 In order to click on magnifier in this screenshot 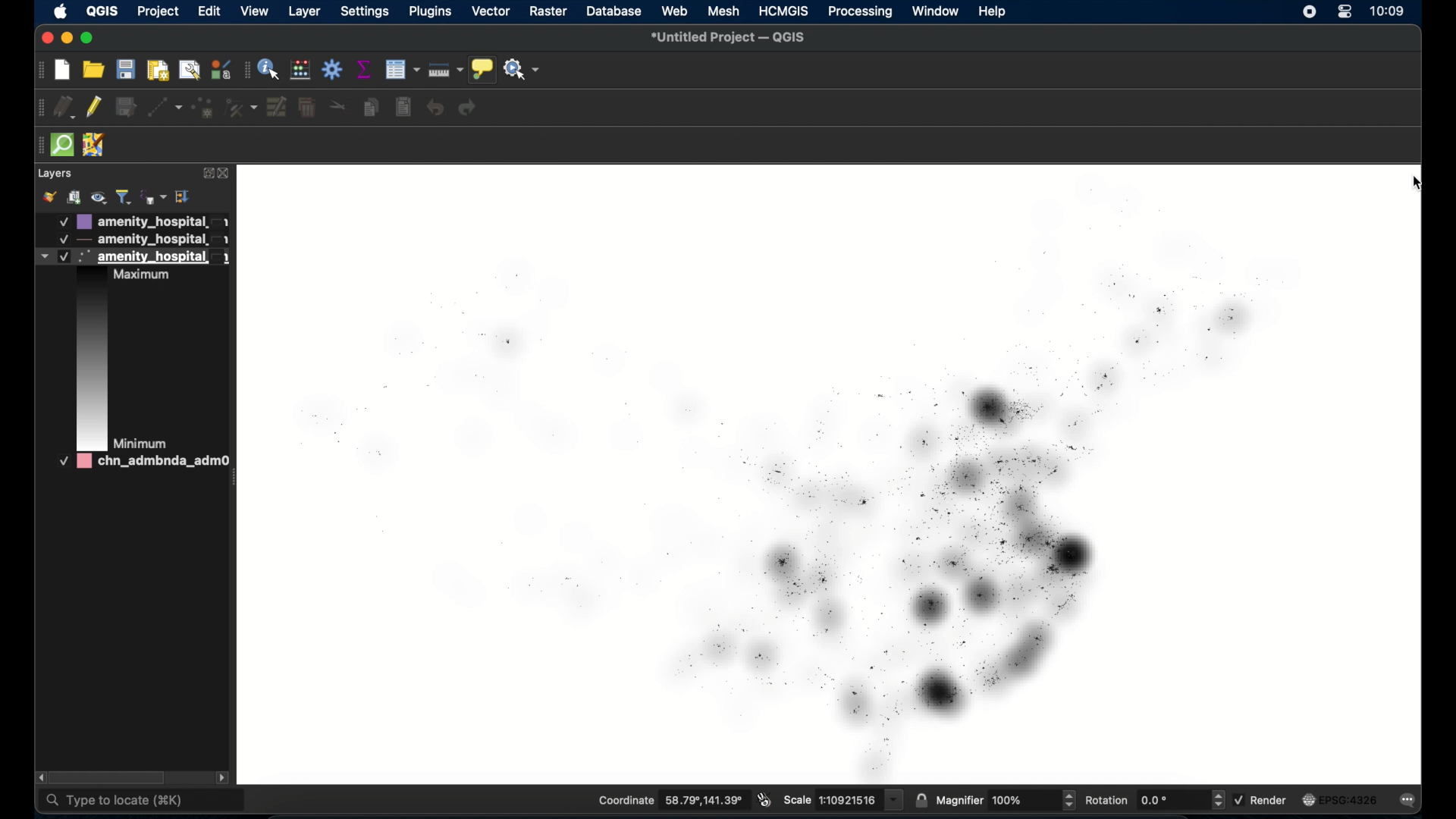, I will do `click(1005, 800)`.